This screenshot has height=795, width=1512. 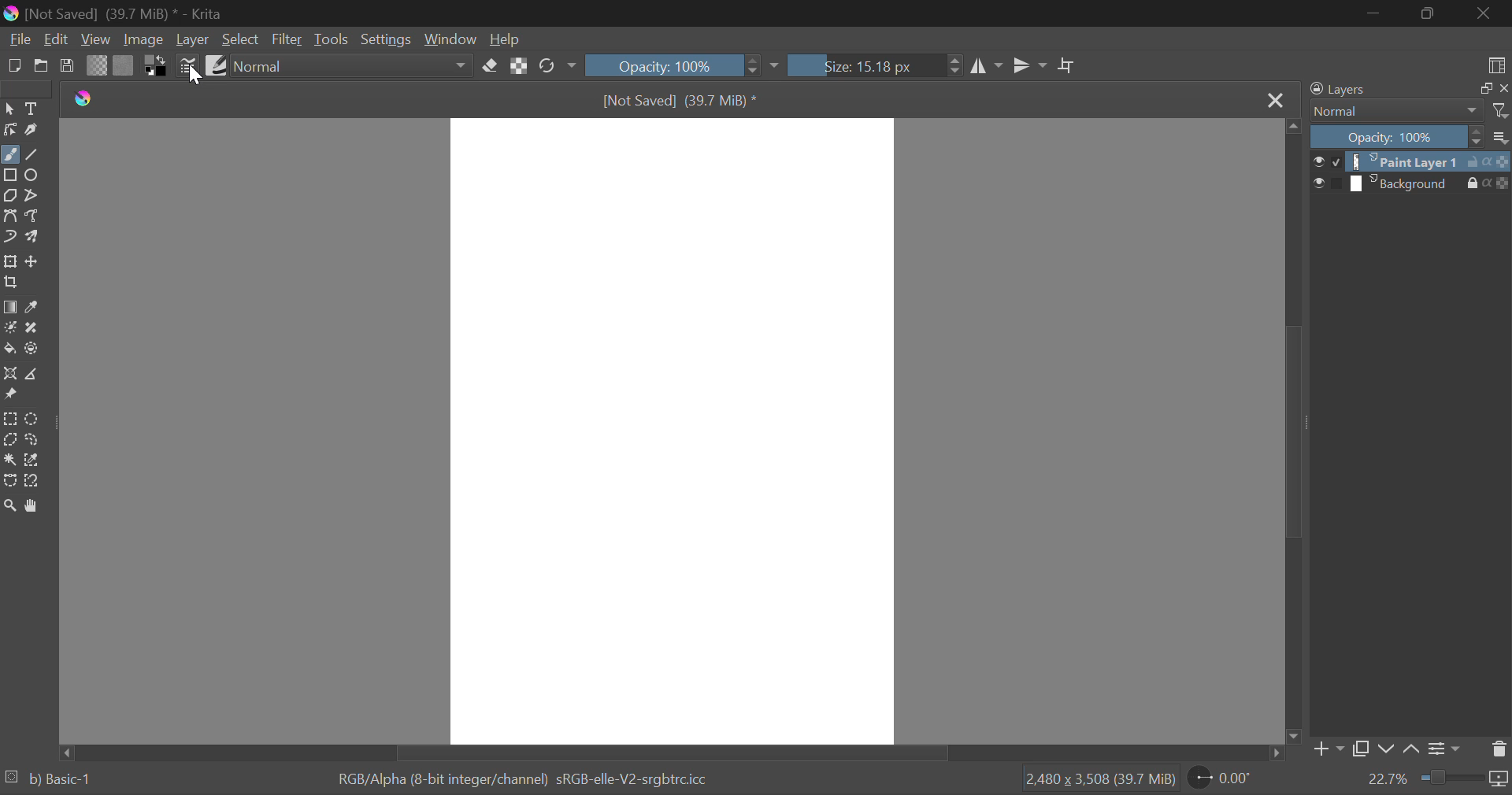 I want to click on Calligraphic Line, so click(x=30, y=129).